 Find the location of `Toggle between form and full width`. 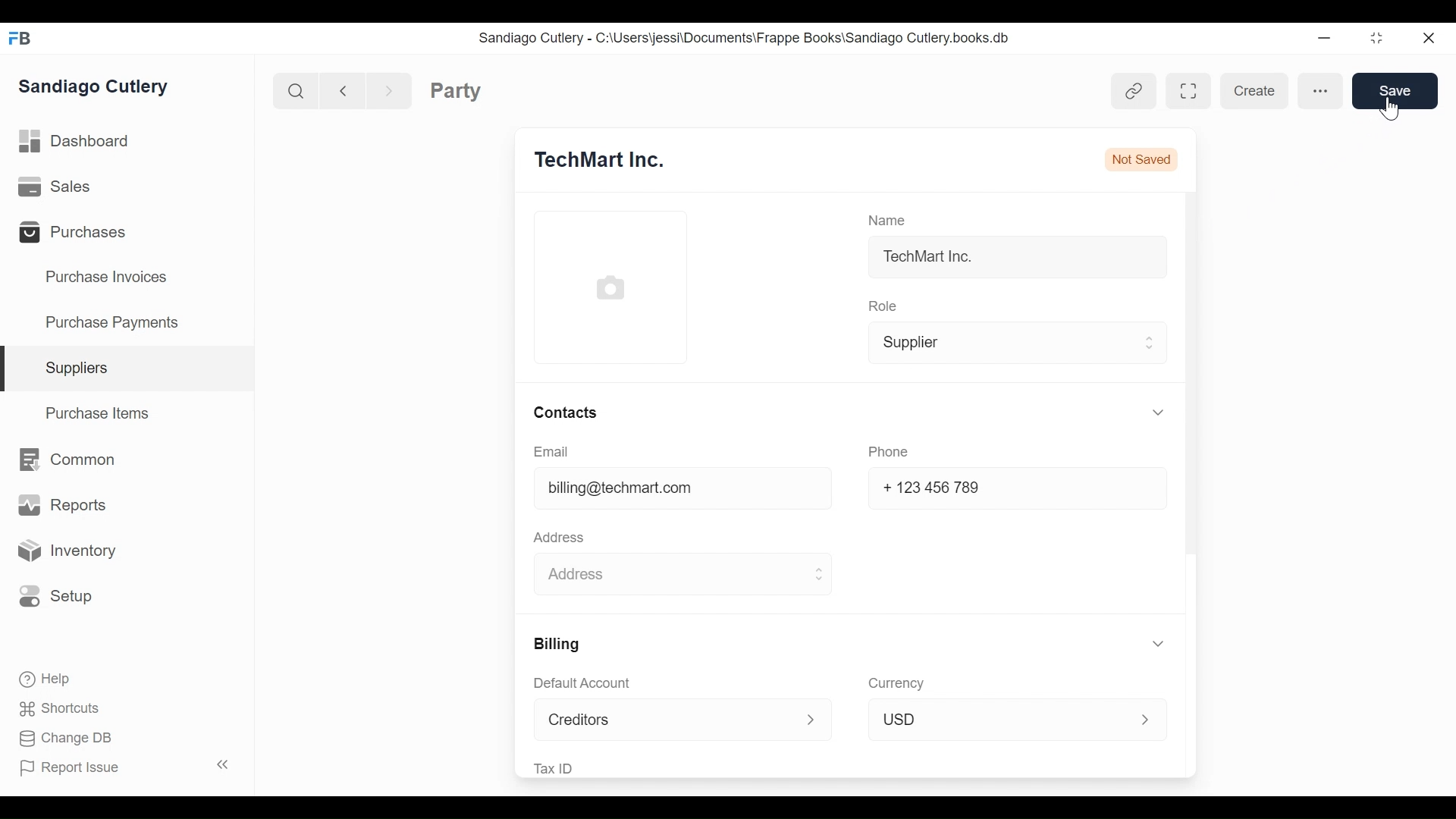

Toggle between form and full width is located at coordinates (1183, 91).